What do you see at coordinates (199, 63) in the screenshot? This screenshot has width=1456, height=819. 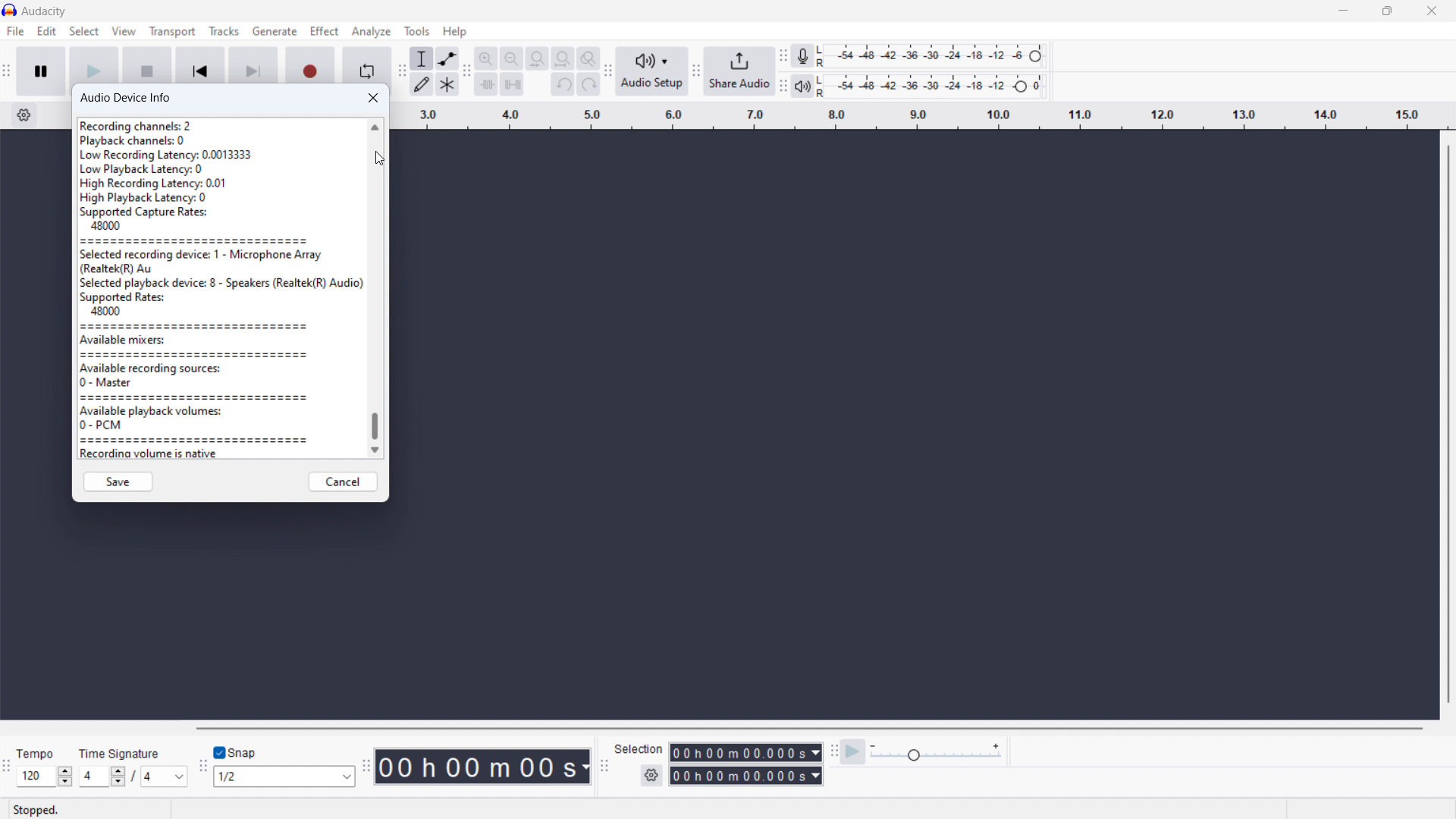 I see `skip to start` at bounding box center [199, 63].